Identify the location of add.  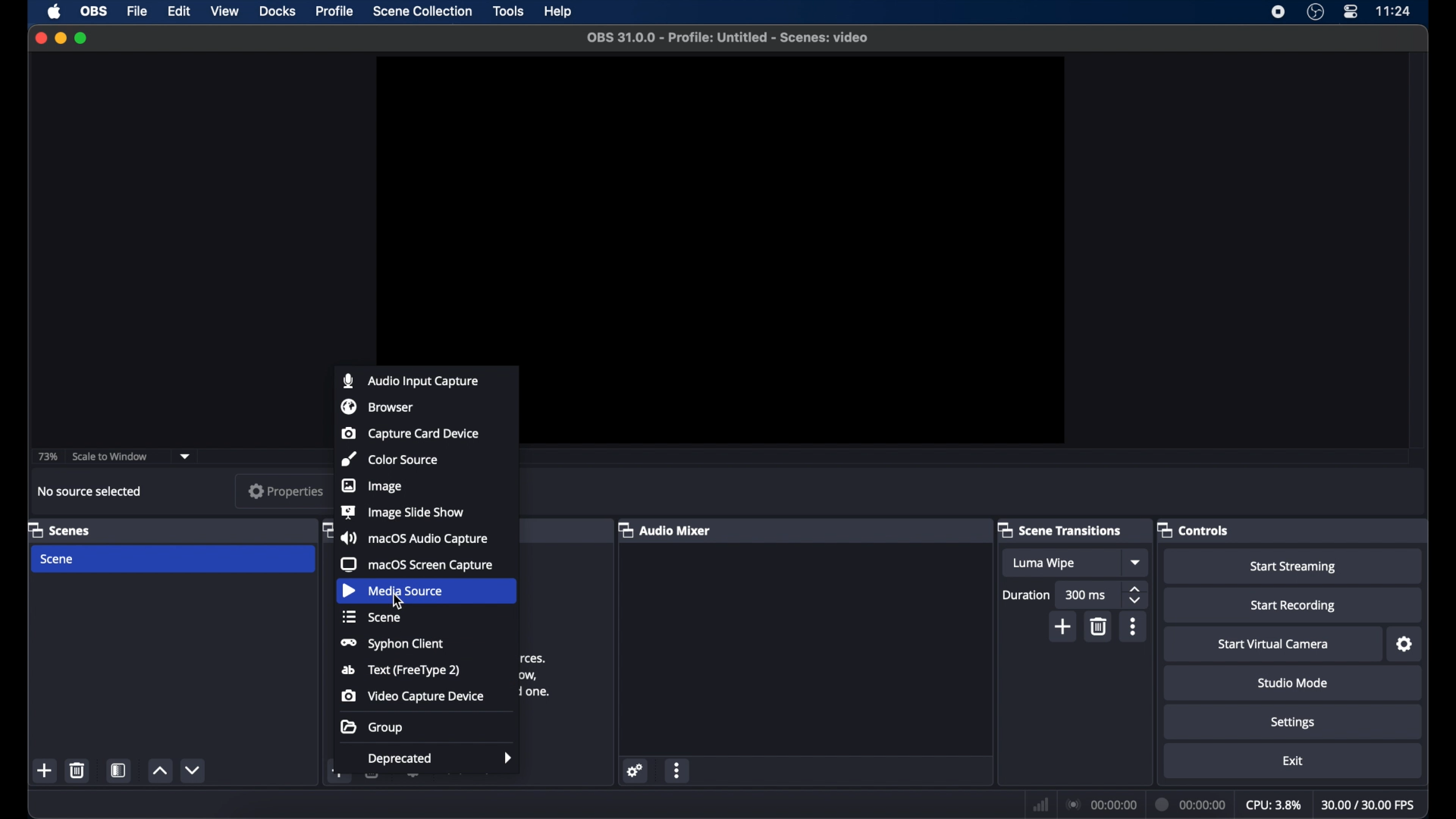
(45, 770).